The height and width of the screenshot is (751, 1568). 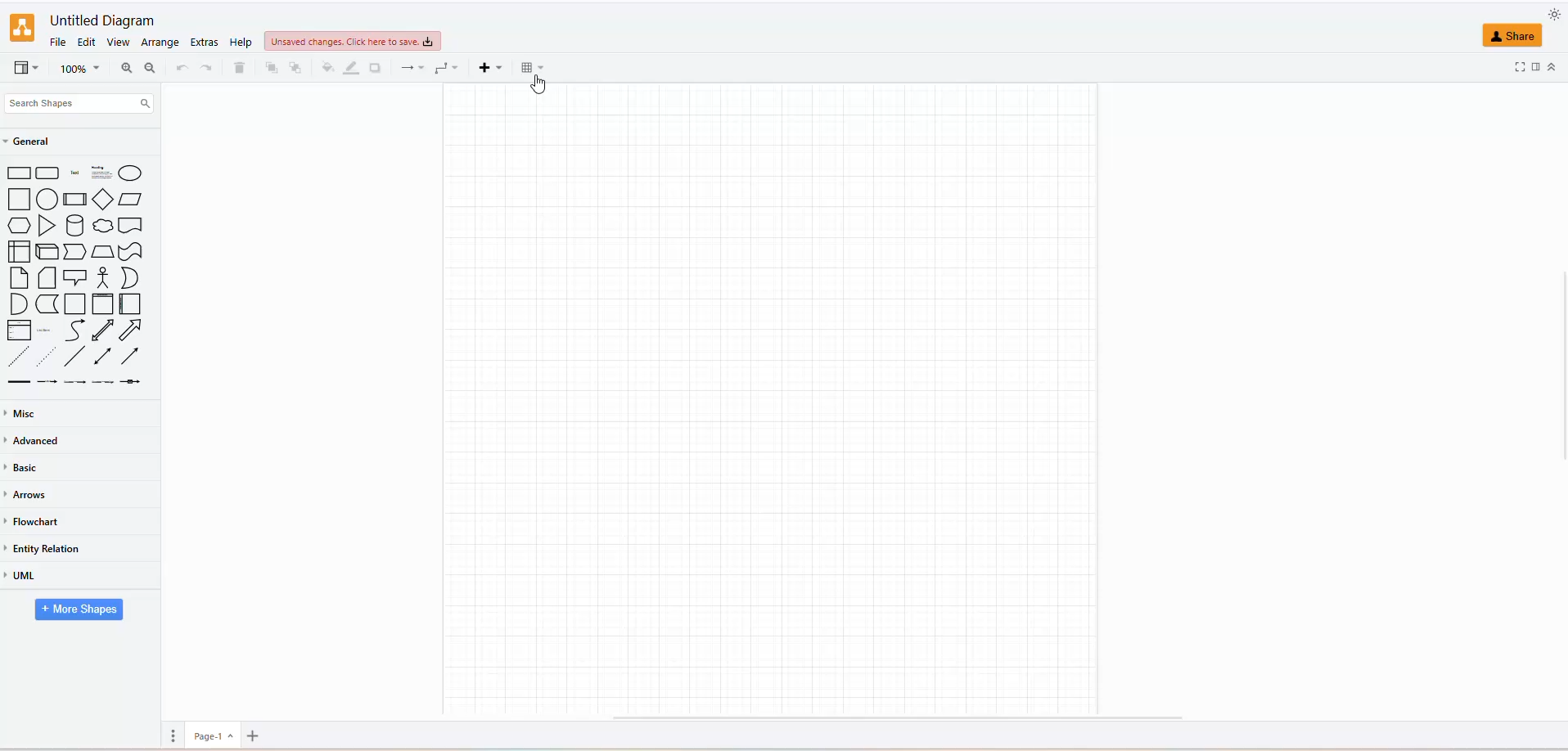 What do you see at coordinates (444, 68) in the screenshot?
I see `waypoints` at bounding box center [444, 68].